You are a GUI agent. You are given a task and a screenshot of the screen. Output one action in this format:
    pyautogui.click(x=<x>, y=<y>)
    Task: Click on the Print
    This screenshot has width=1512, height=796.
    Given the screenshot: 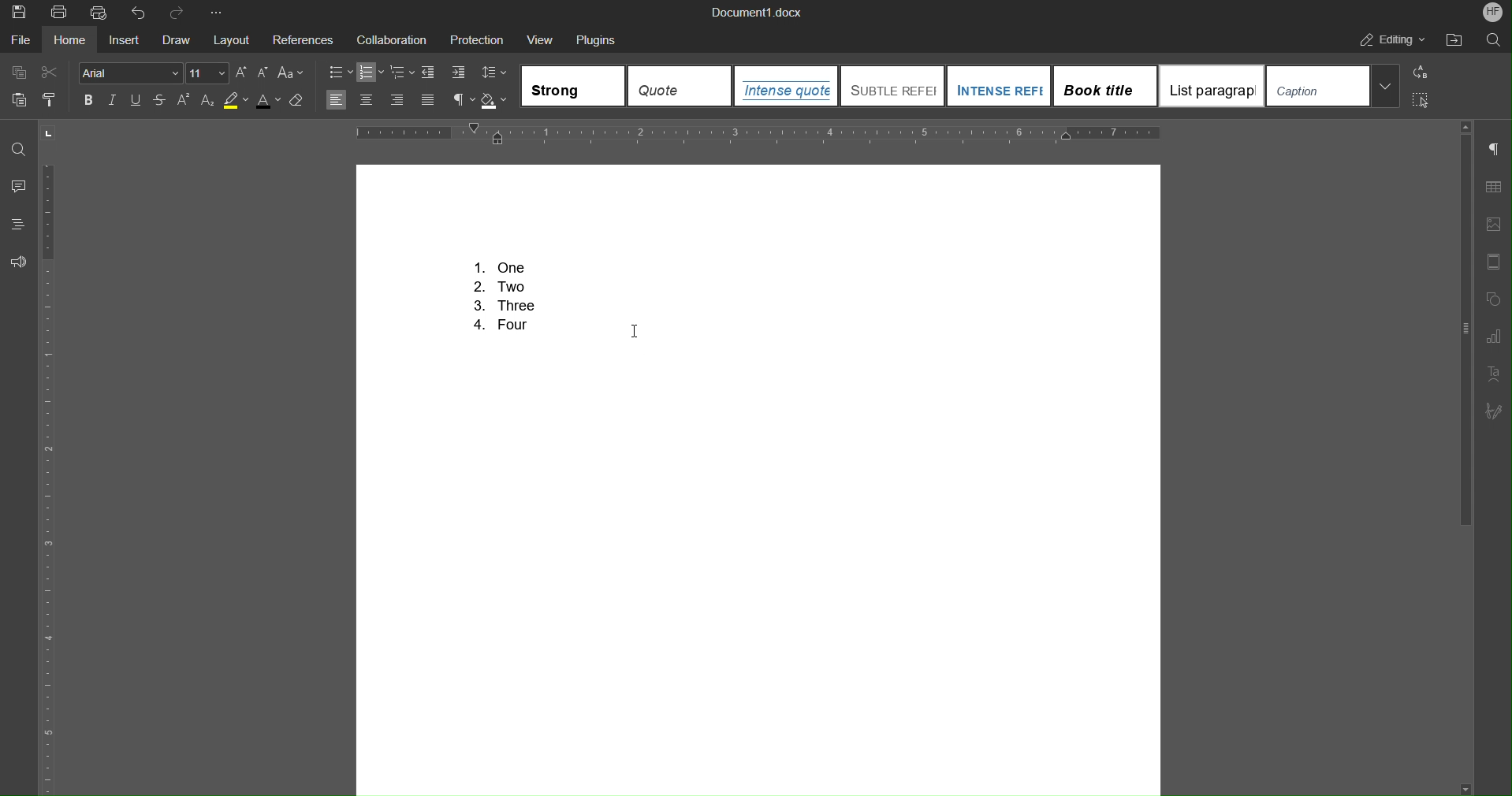 What is the action you would take?
    pyautogui.click(x=61, y=11)
    